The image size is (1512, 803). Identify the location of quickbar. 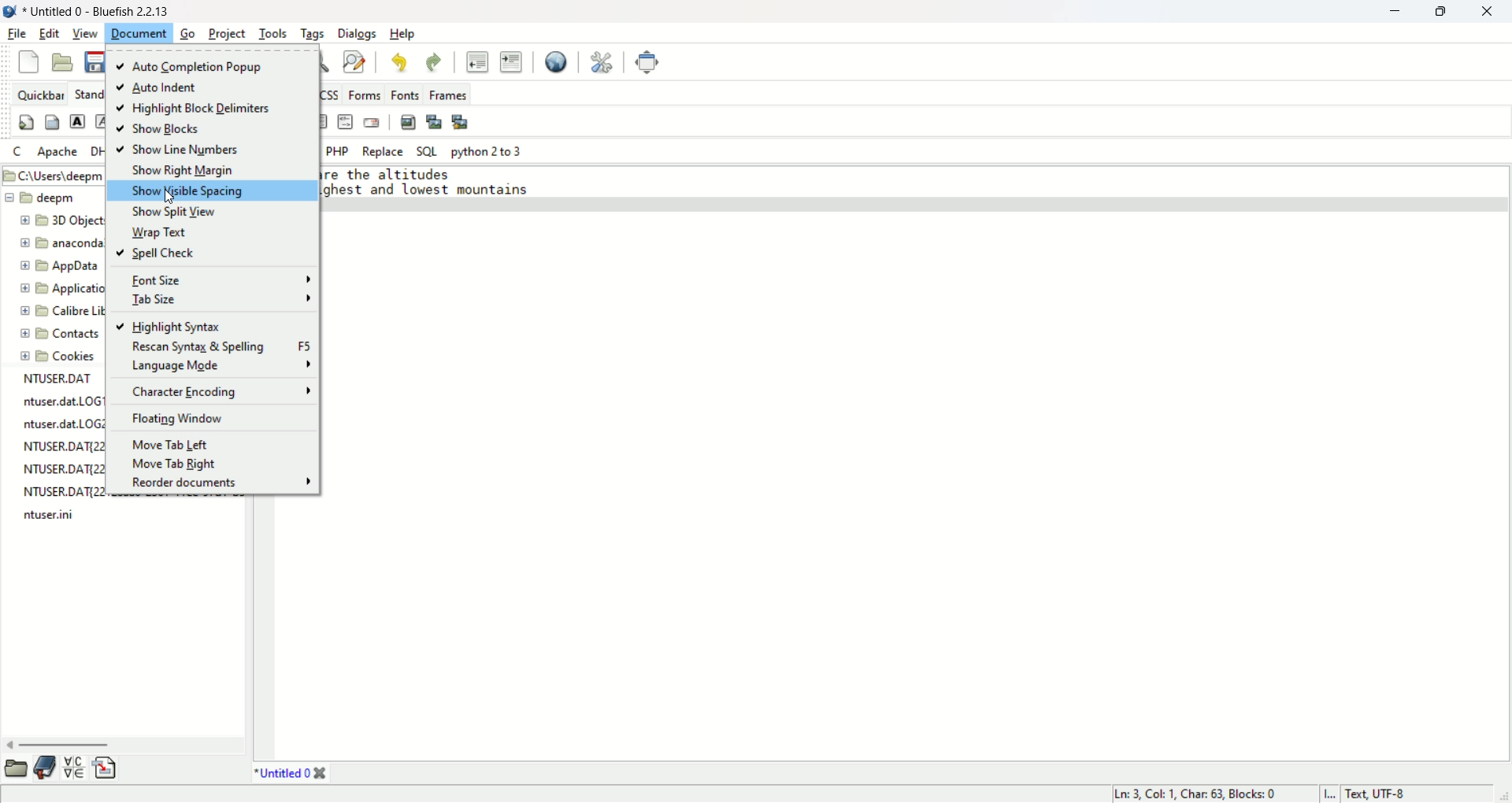
(40, 92).